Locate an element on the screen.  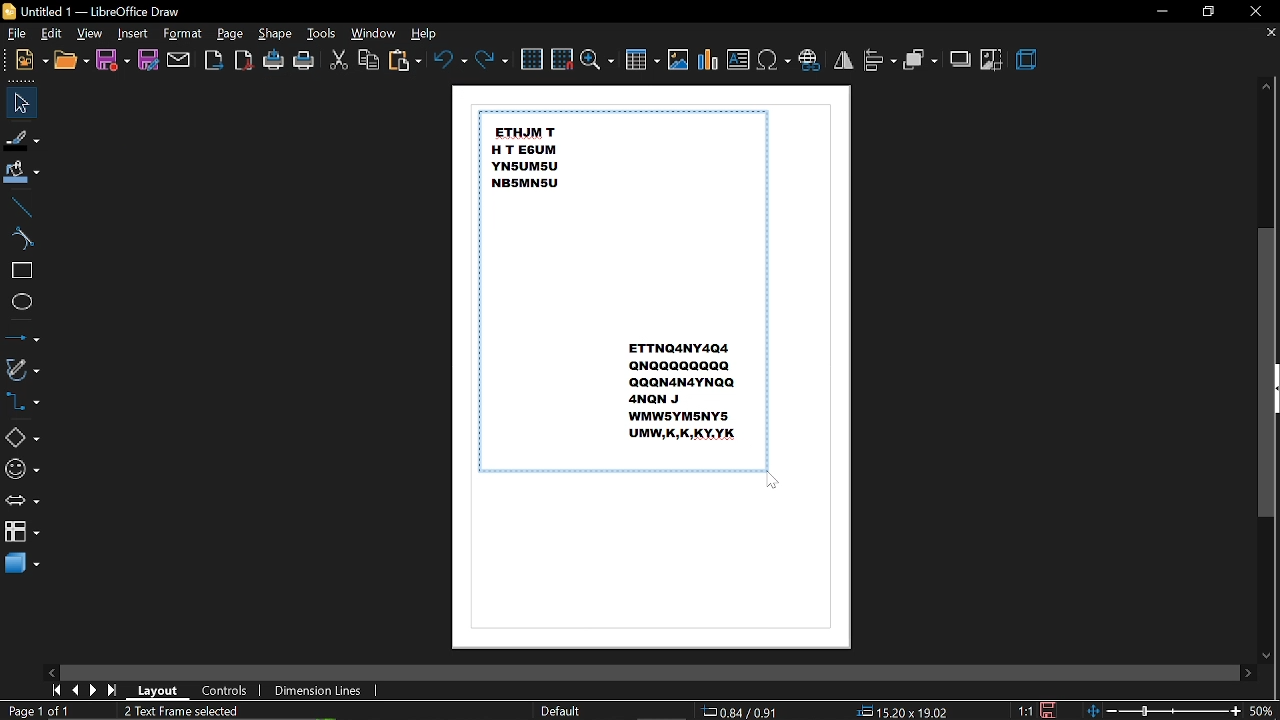
insert symbol is located at coordinates (773, 60).